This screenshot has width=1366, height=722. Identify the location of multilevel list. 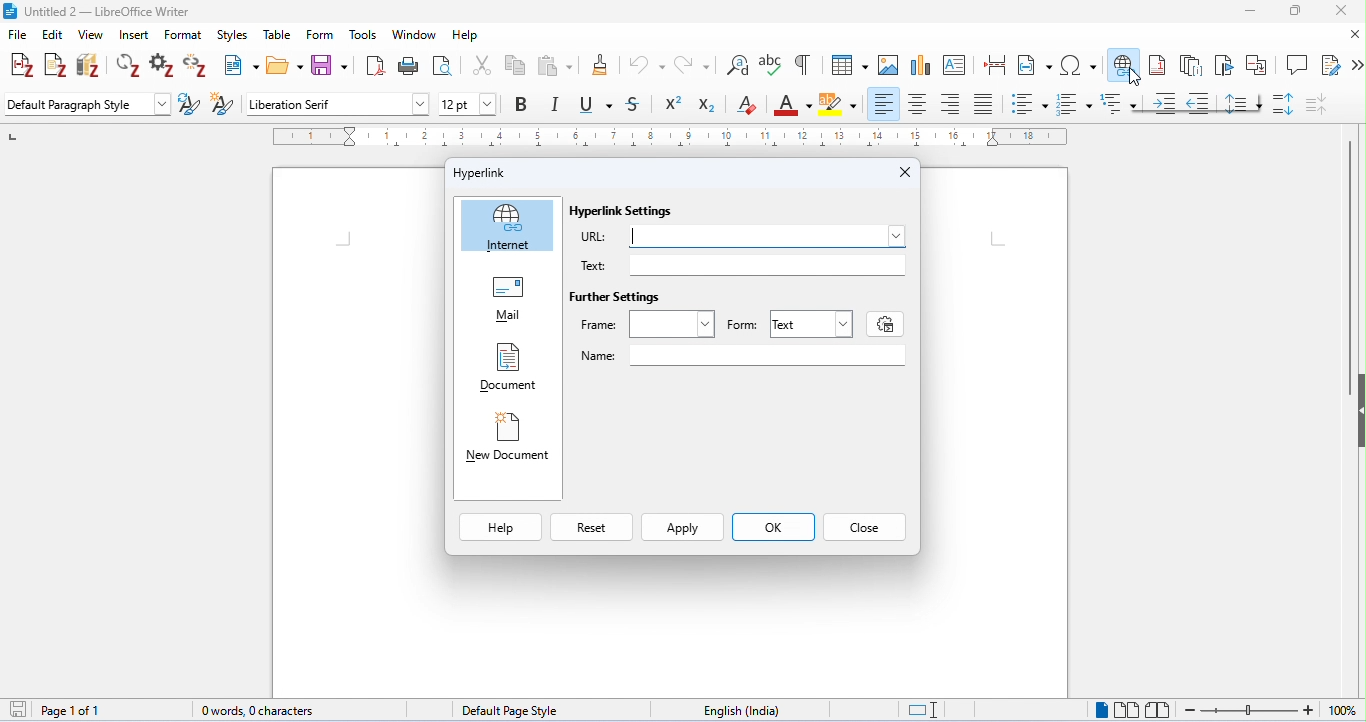
(1121, 105).